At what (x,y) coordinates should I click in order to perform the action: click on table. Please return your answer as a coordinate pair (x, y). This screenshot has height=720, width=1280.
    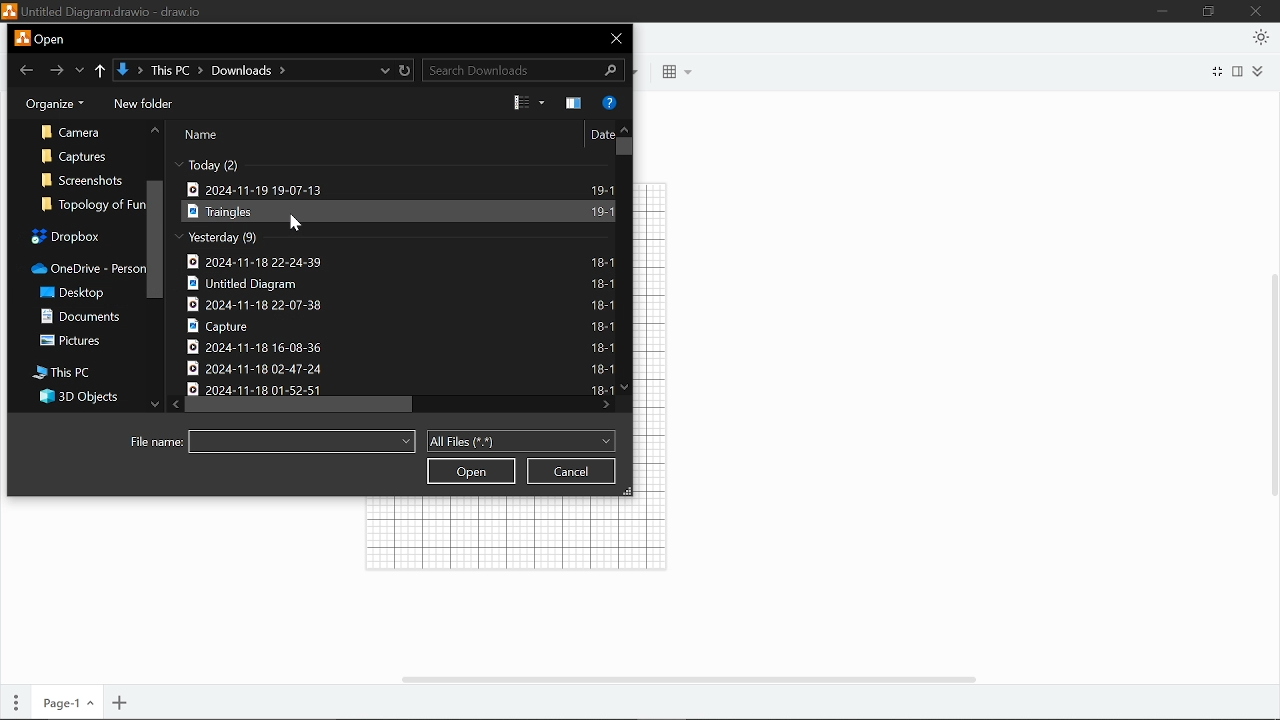
    Looking at the image, I should click on (678, 72).